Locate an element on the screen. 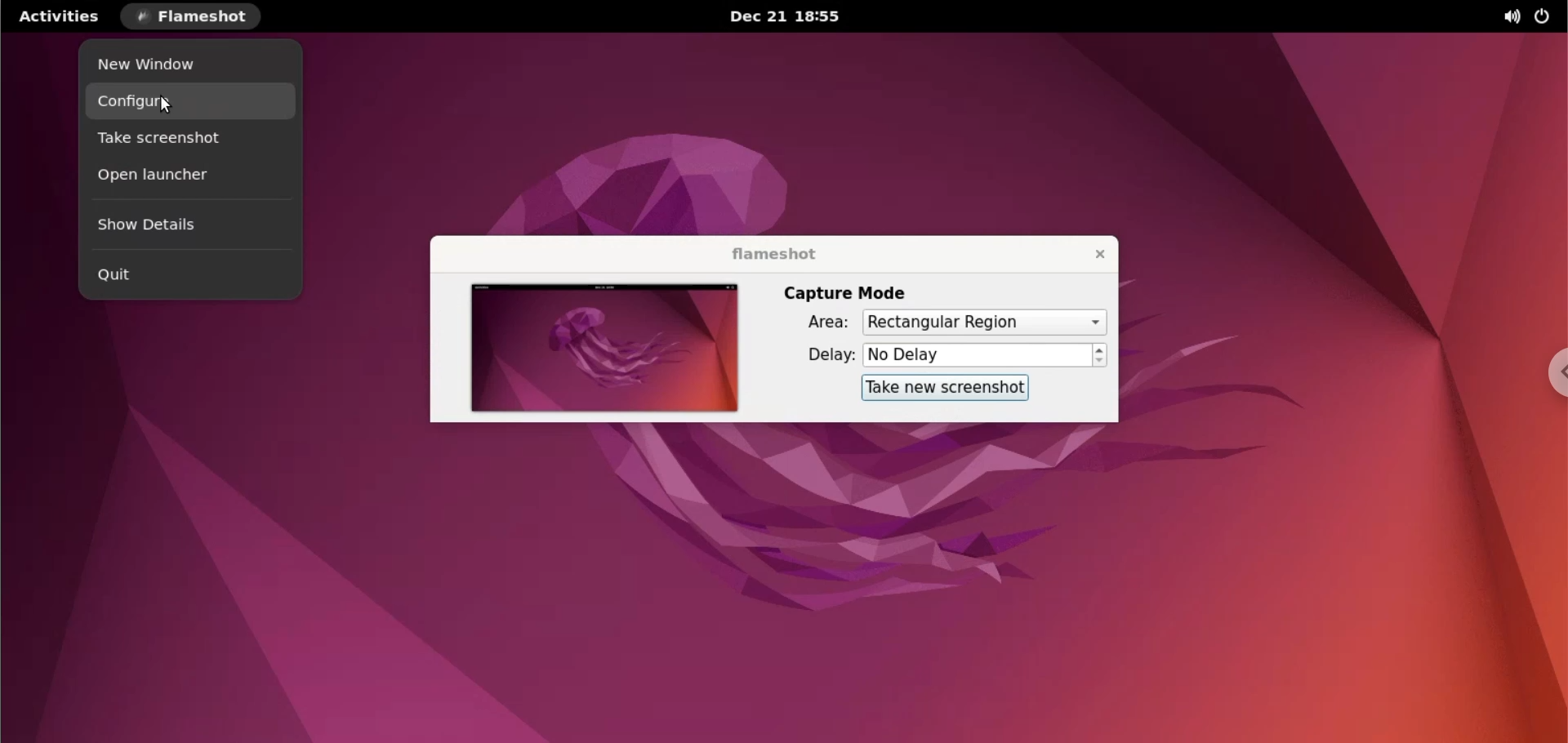 Image resolution: width=1568 pixels, height=743 pixels. No Delay is located at coordinates (977, 356).